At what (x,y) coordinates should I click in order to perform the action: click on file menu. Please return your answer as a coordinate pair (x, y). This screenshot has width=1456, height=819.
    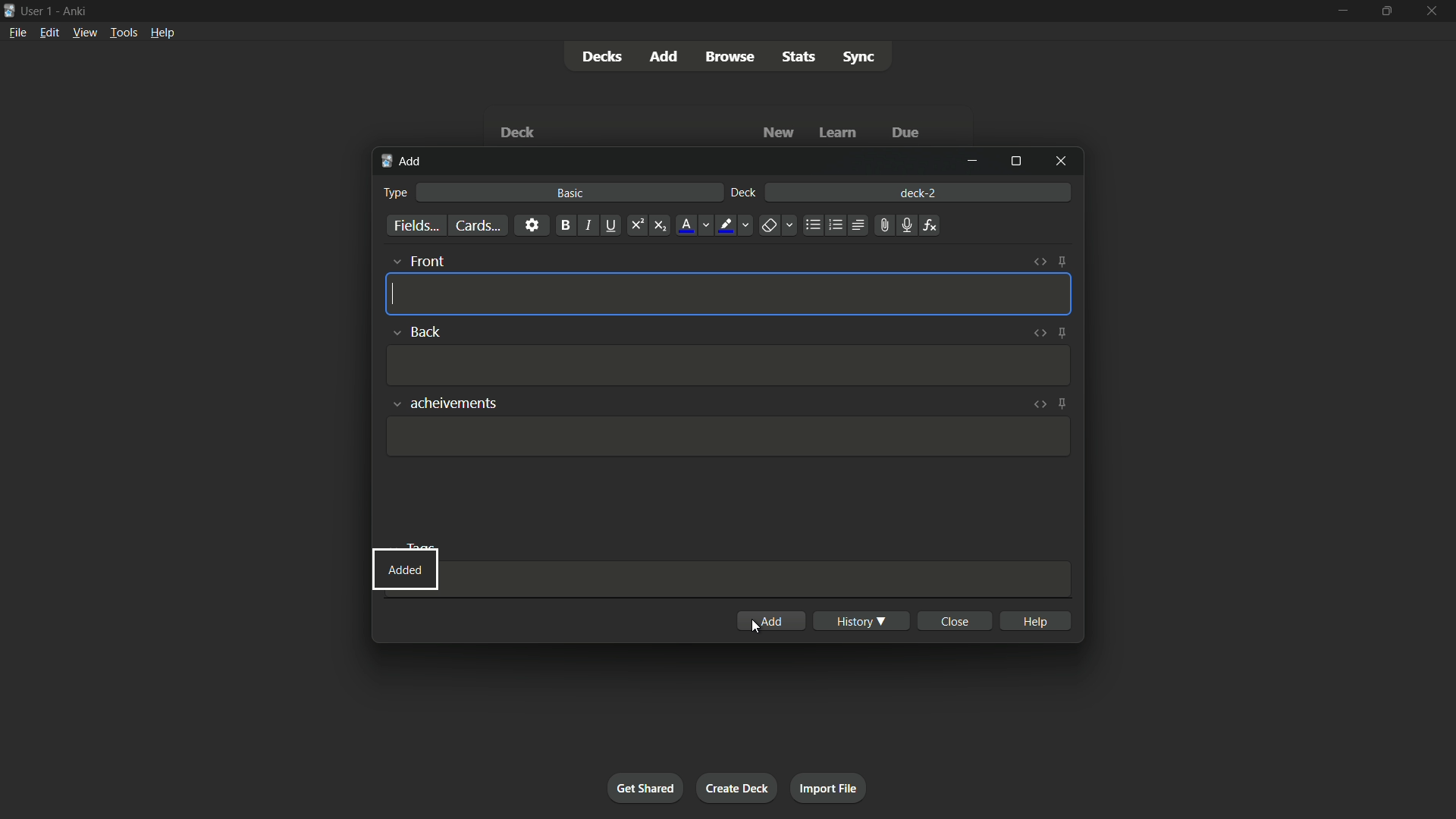
    Looking at the image, I should click on (18, 33).